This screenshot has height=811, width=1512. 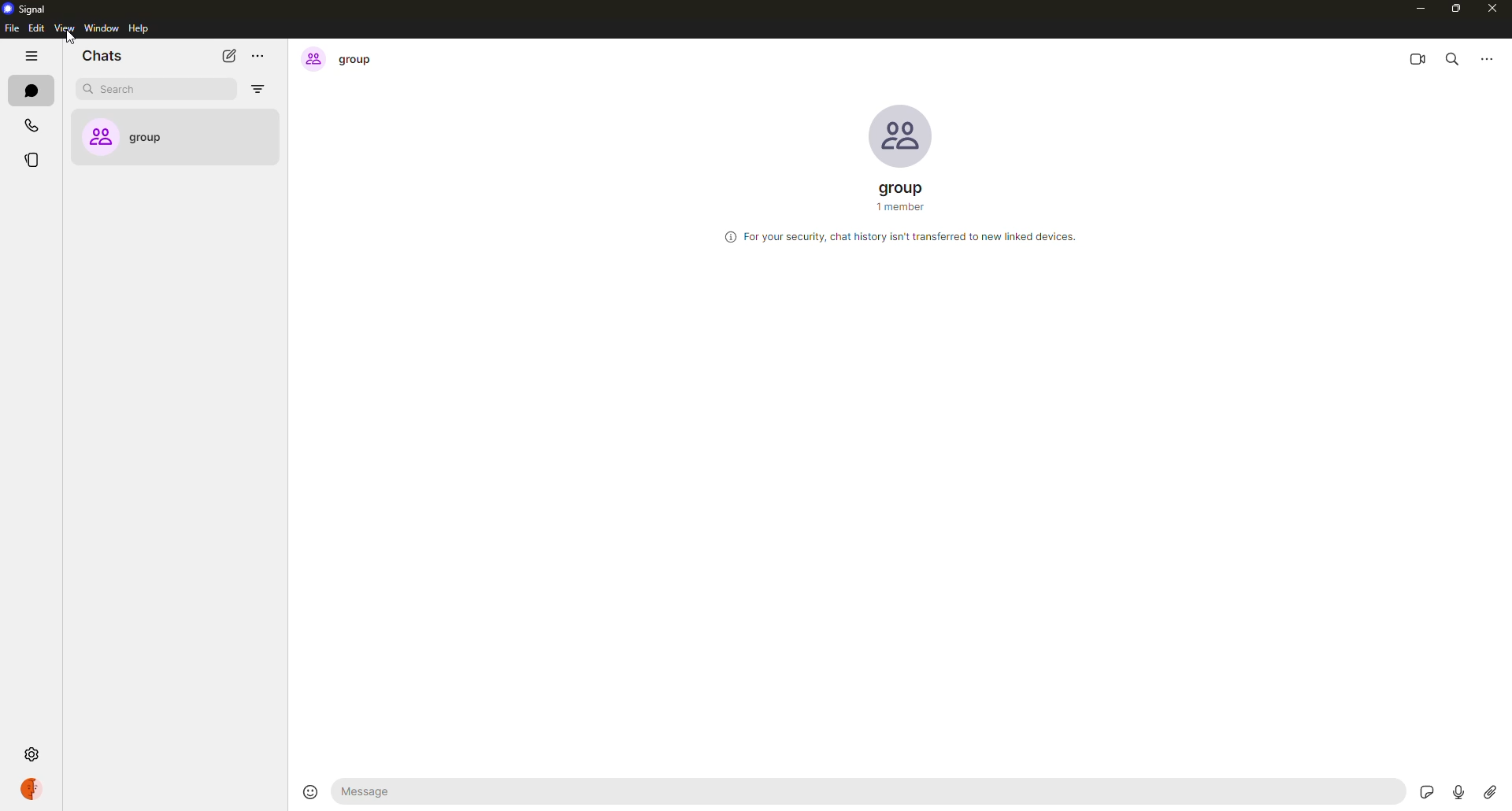 What do you see at coordinates (1429, 791) in the screenshot?
I see `stickers` at bounding box center [1429, 791].